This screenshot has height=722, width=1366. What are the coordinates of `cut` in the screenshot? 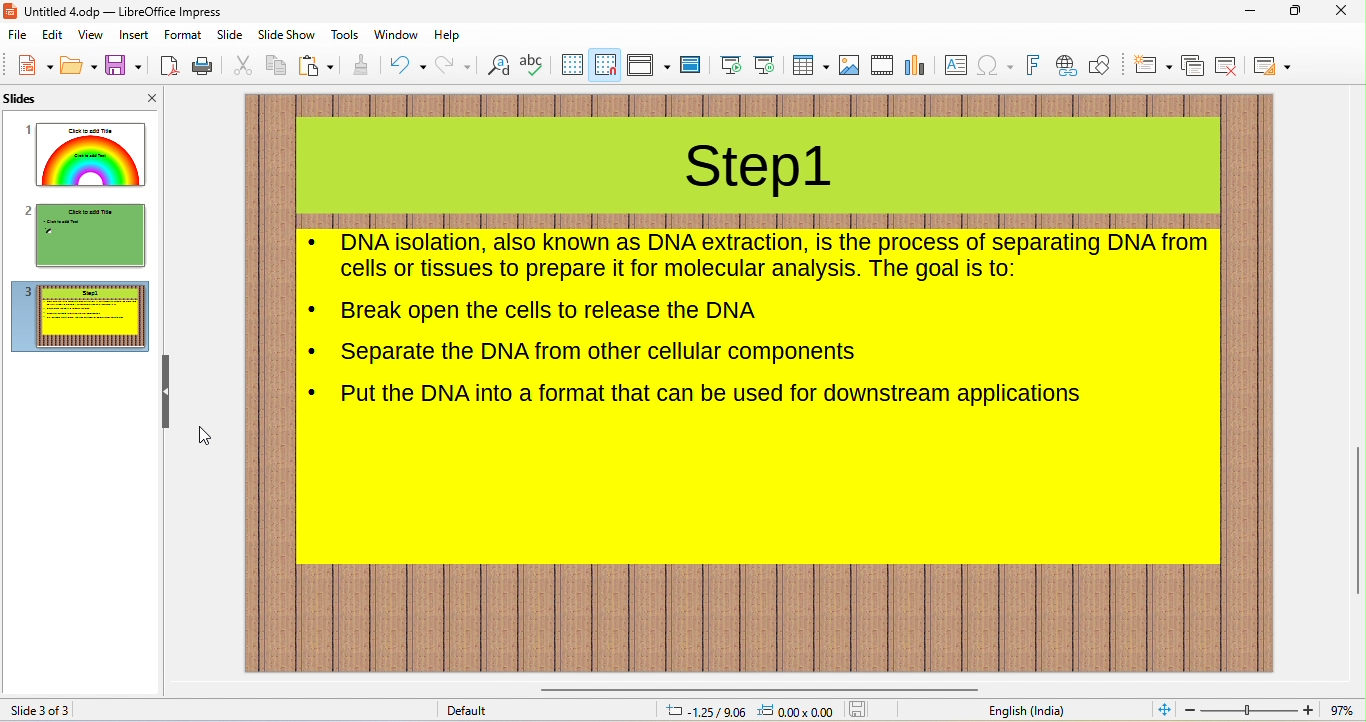 It's located at (240, 65).